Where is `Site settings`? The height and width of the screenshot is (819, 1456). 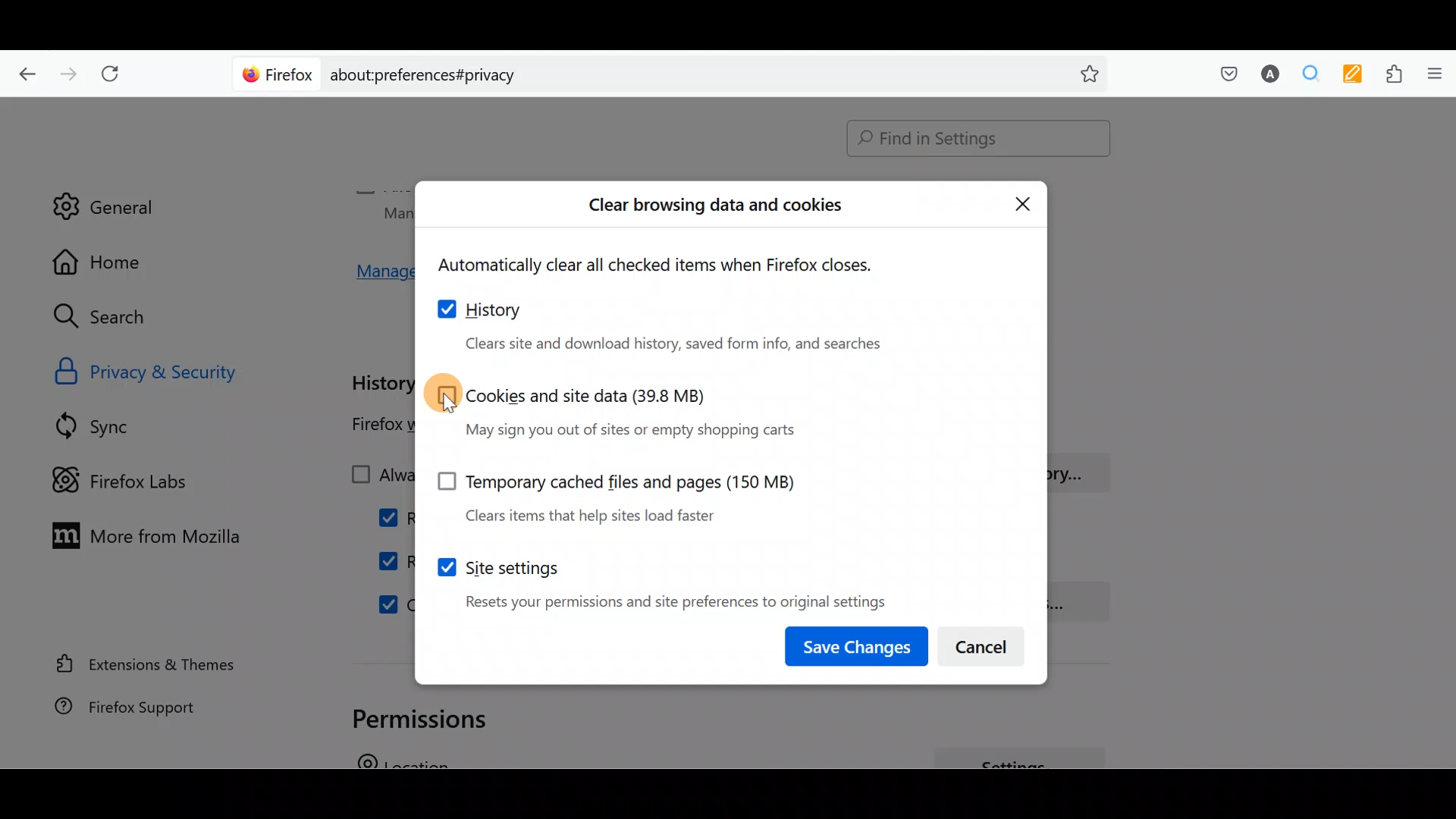
Site settings is located at coordinates (659, 578).